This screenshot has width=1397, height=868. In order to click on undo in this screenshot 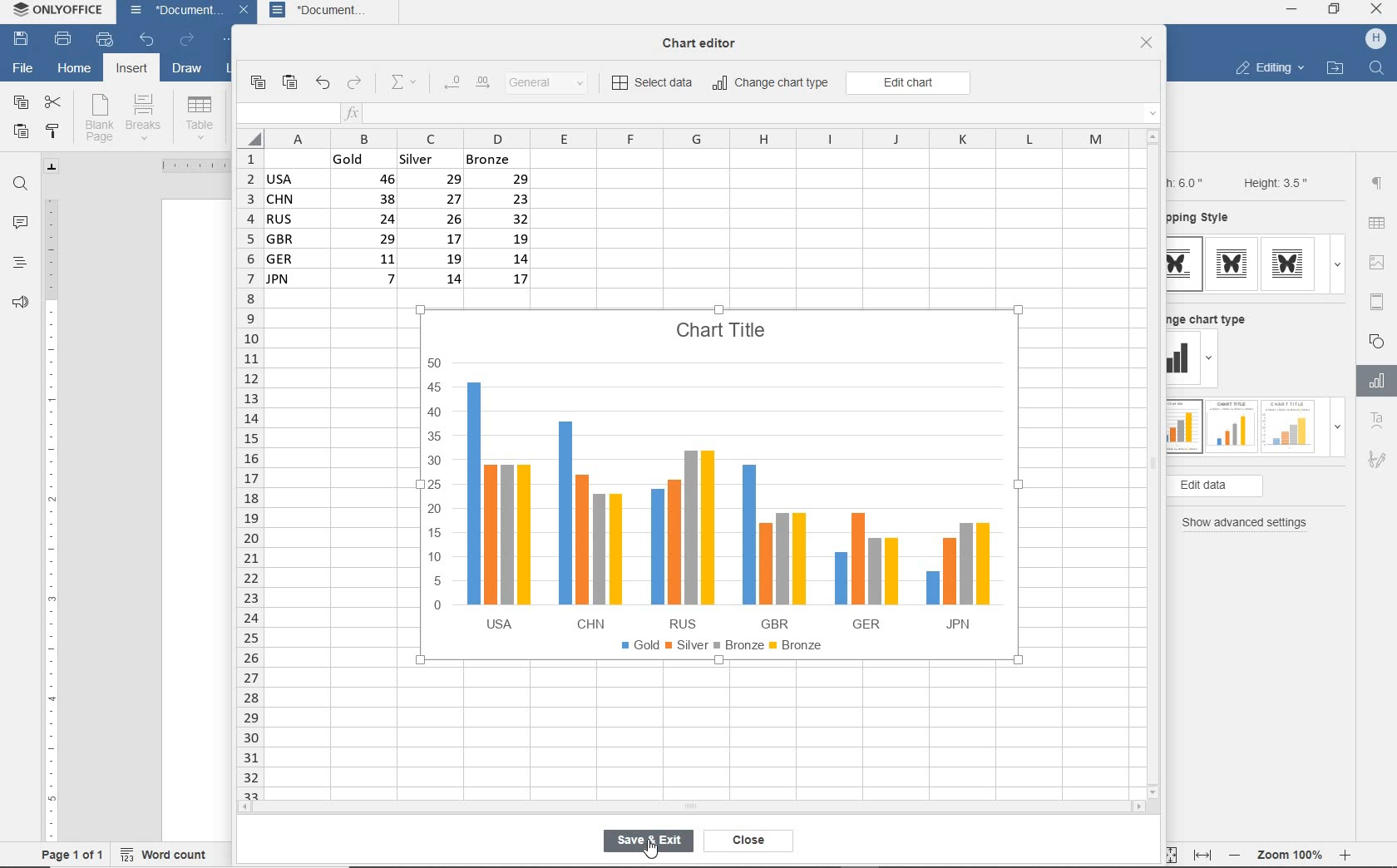, I will do `click(146, 41)`.